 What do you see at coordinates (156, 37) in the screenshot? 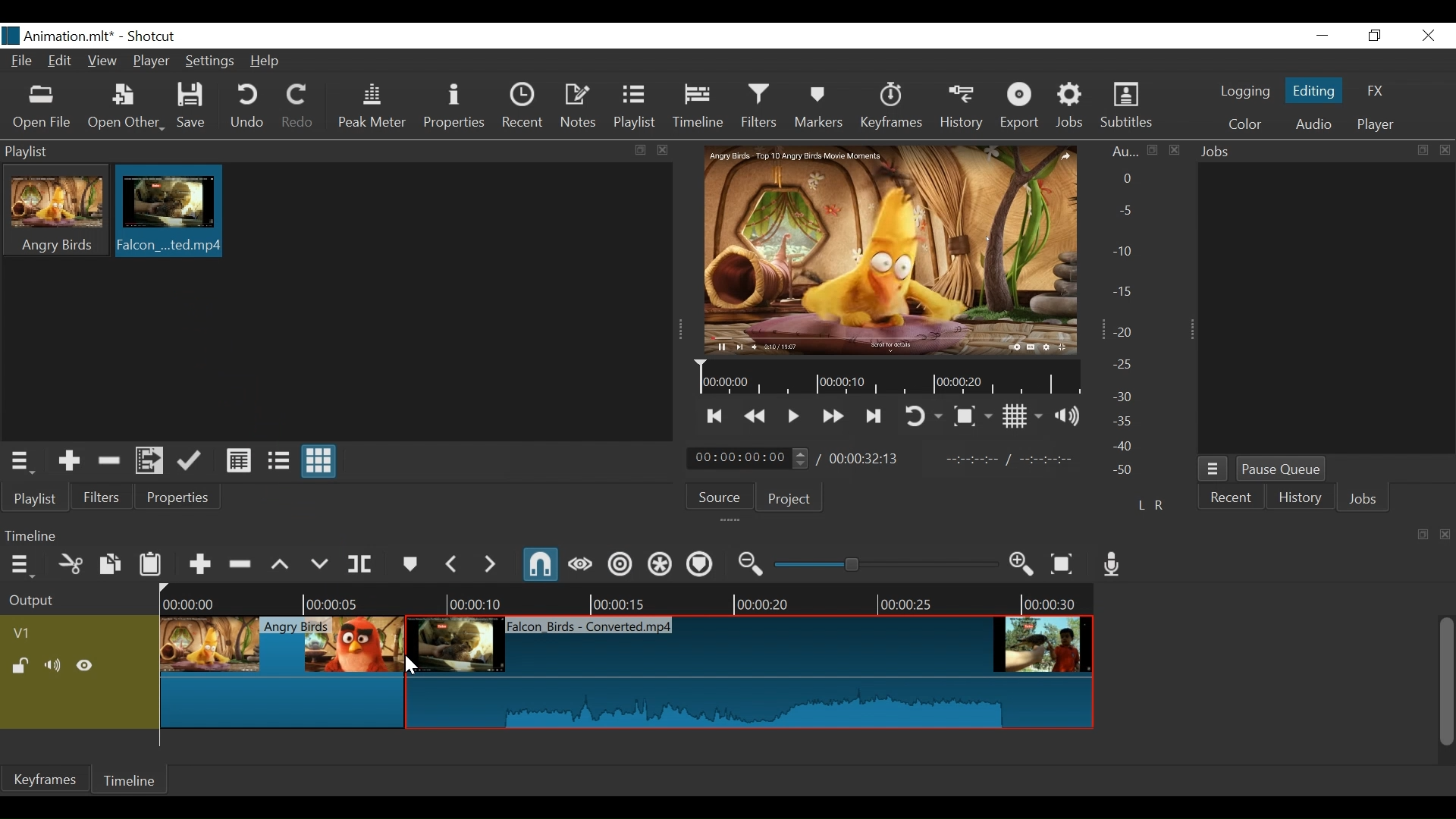
I see `Shotcut` at bounding box center [156, 37].